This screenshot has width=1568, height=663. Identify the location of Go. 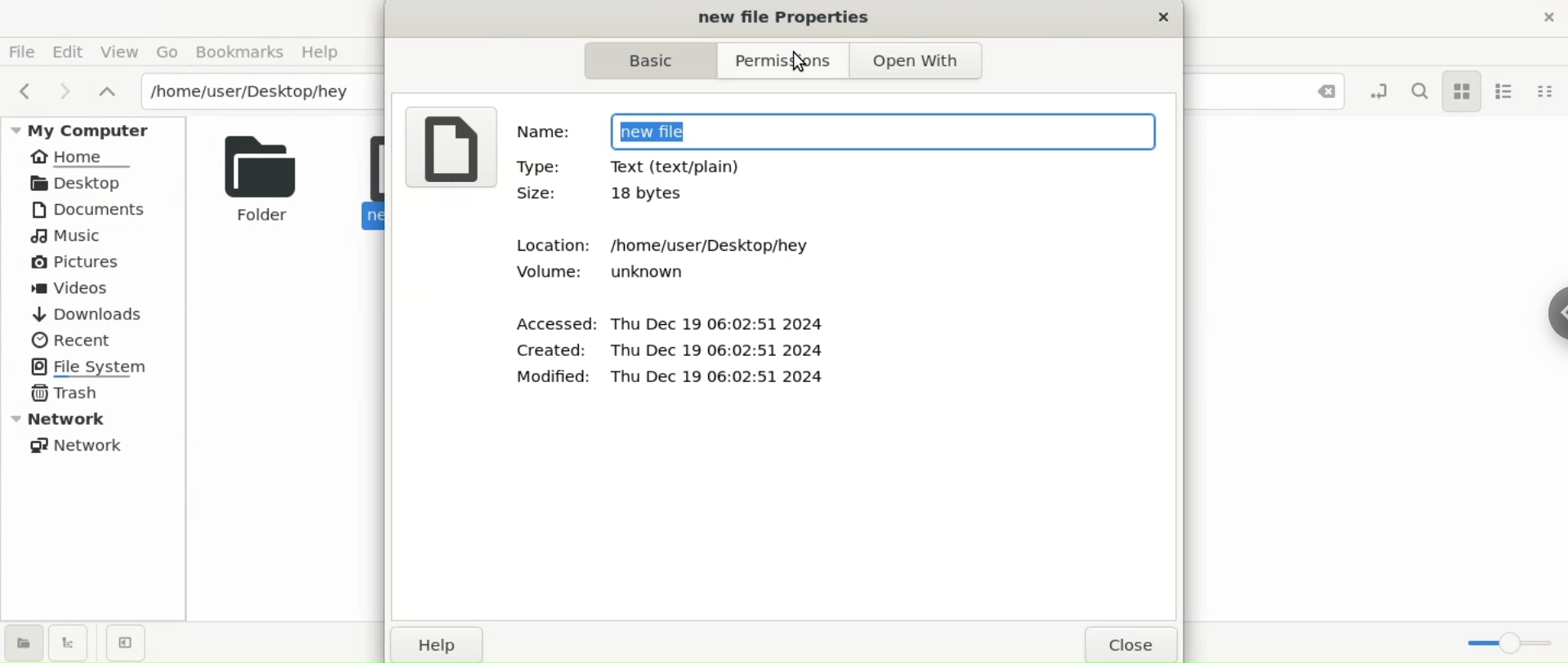
(165, 51).